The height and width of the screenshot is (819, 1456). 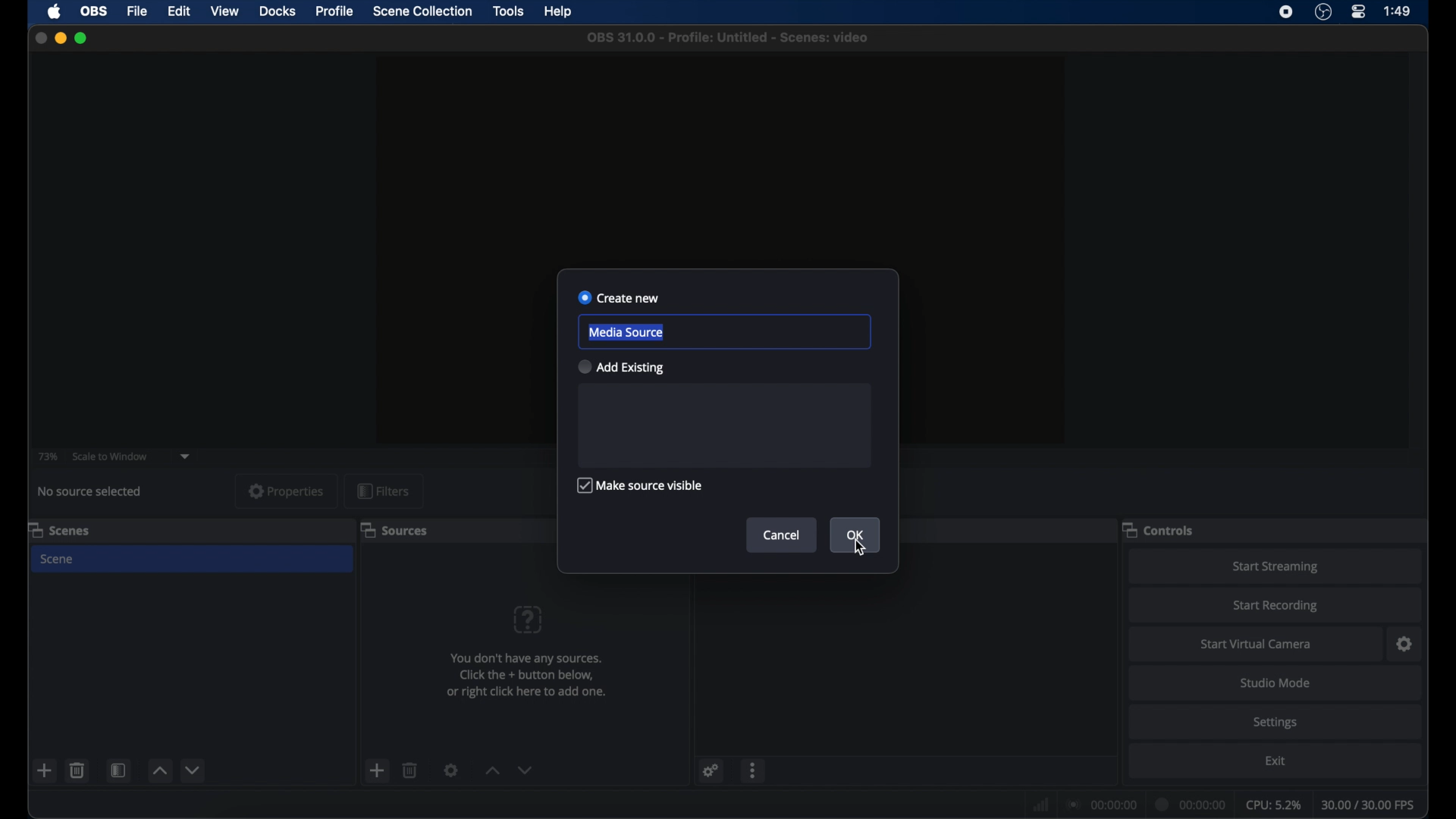 I want to click on add existing, so click(x=620, y=366).